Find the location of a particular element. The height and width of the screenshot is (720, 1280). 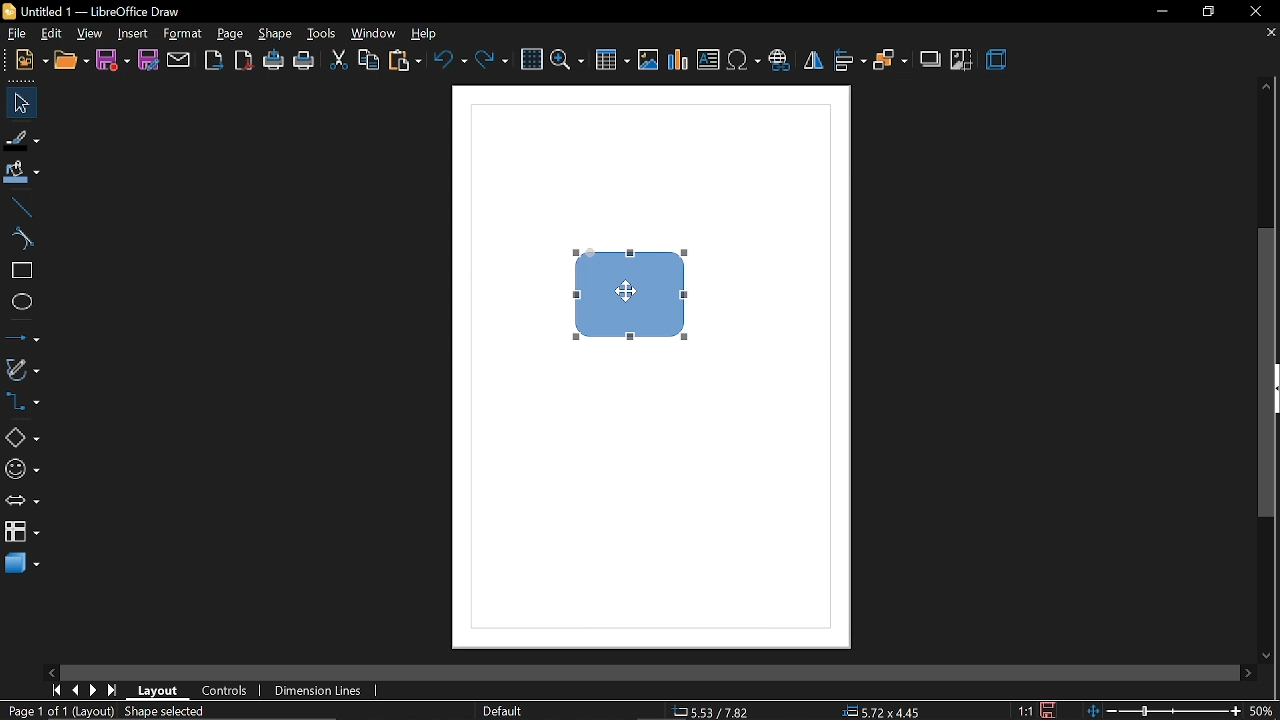

save is located at coordinates (114, 60).